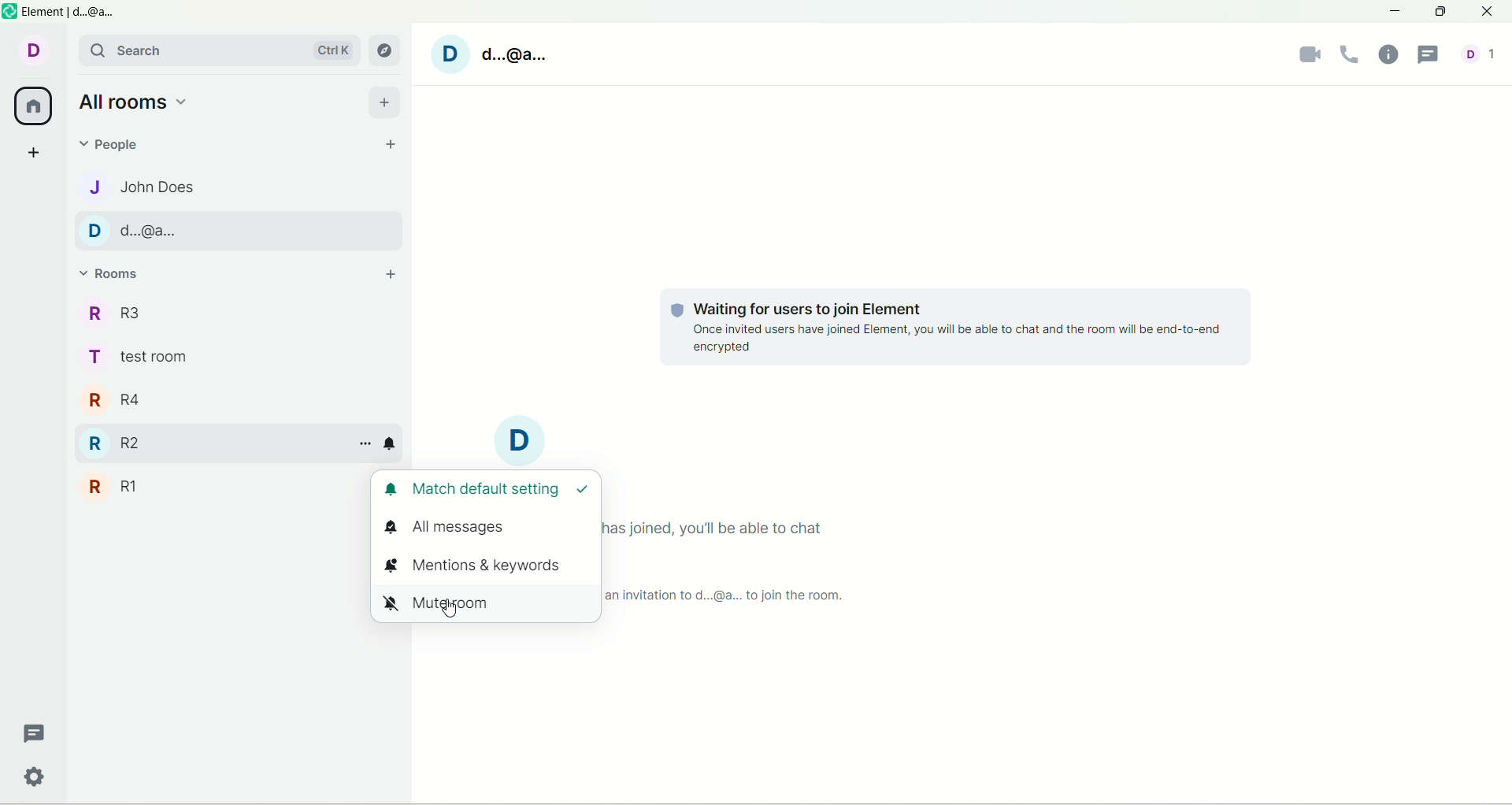 The image size is (1512, 805). What do you see at coordinates (35, 104) in the screenshot?
I see `all rooms` at bounding box center [35, 104].